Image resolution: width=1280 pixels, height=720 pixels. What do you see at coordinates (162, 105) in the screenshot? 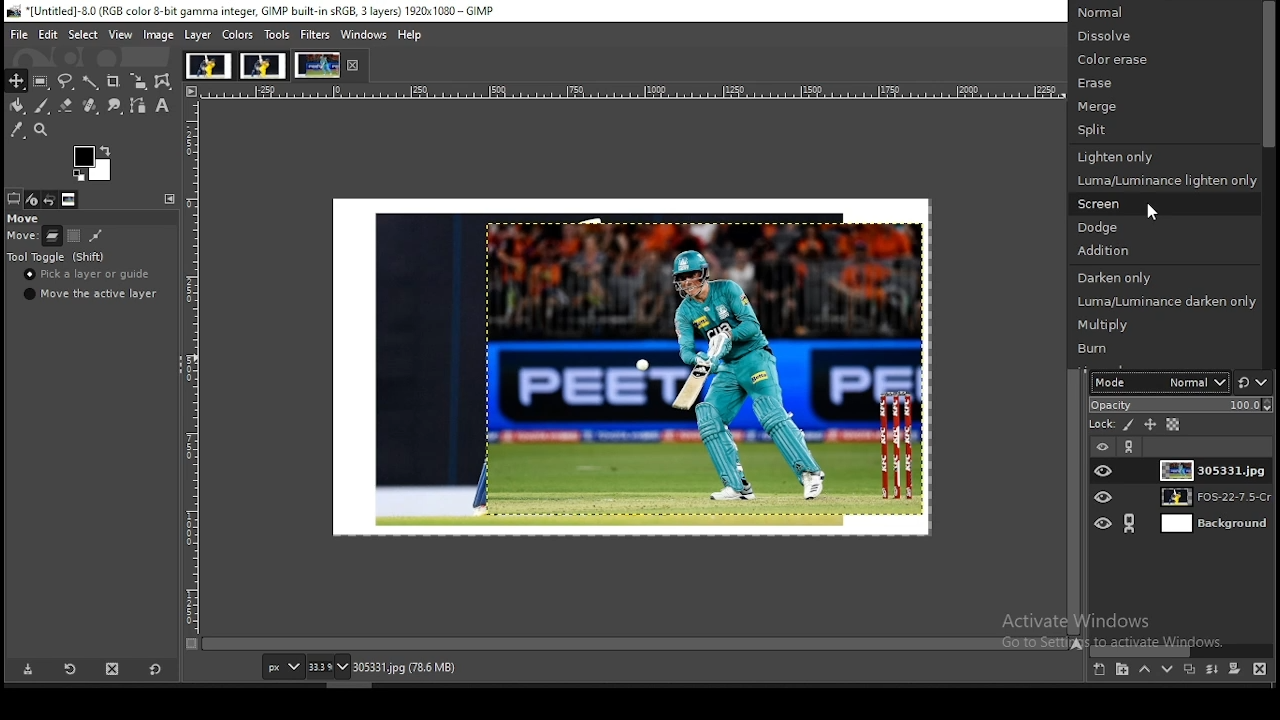
I see `text tool` at bounding box center [162, 105].